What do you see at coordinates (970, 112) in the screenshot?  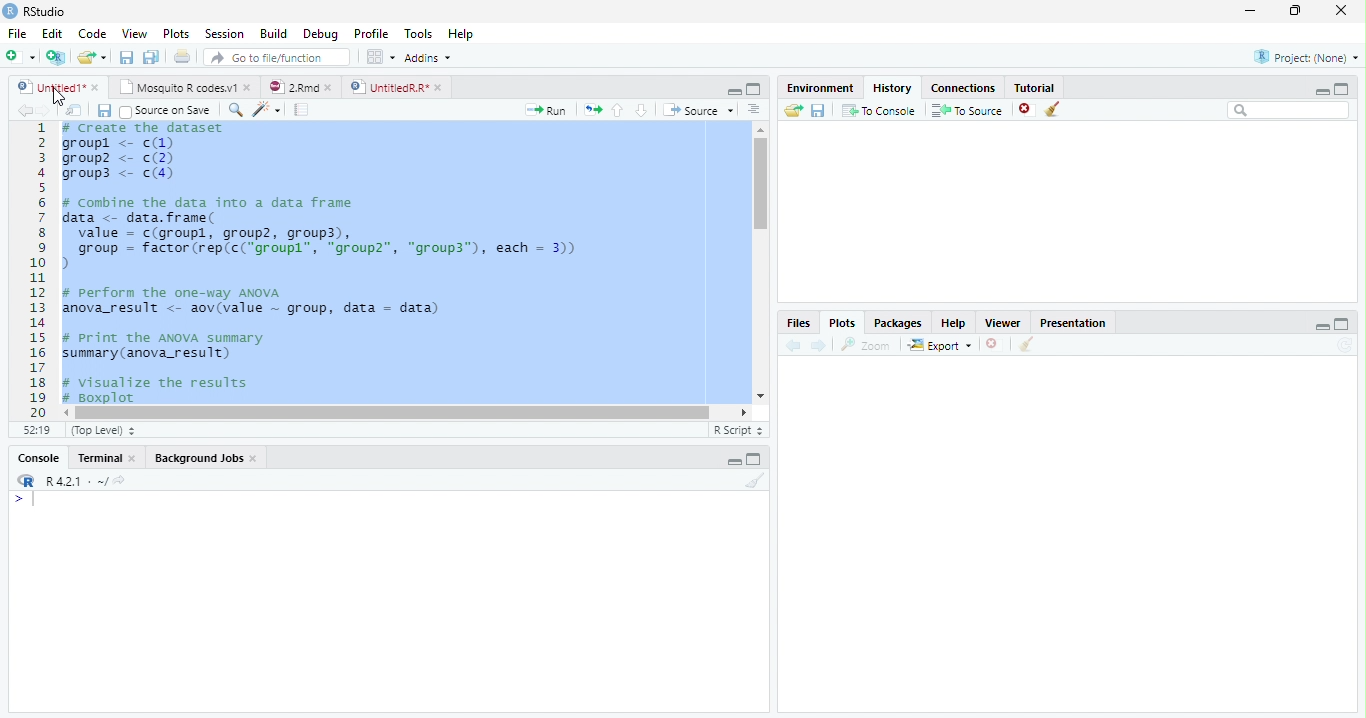 I see `To source` at bounding box center [970, 112].